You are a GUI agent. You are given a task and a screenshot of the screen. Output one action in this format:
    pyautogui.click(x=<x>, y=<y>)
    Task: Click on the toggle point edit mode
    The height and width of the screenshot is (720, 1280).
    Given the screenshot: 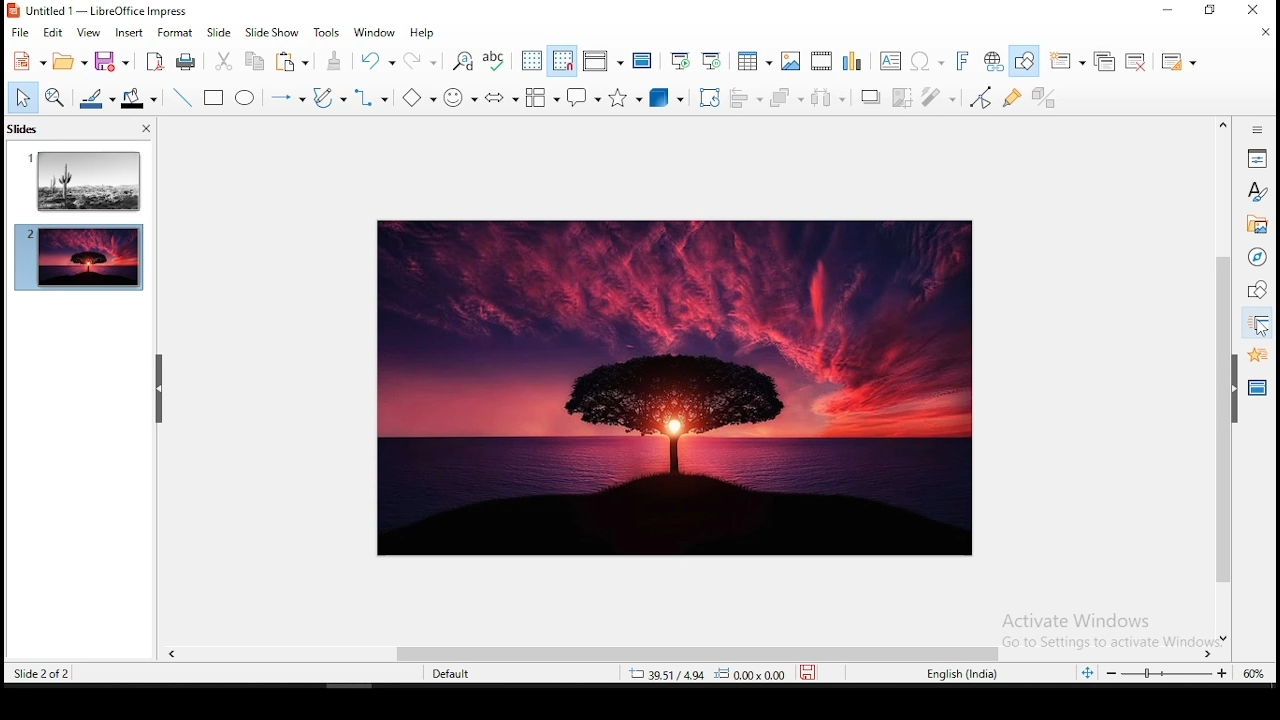 What is the action you would take?
    pyautogui.click(x=979, y=97)
    